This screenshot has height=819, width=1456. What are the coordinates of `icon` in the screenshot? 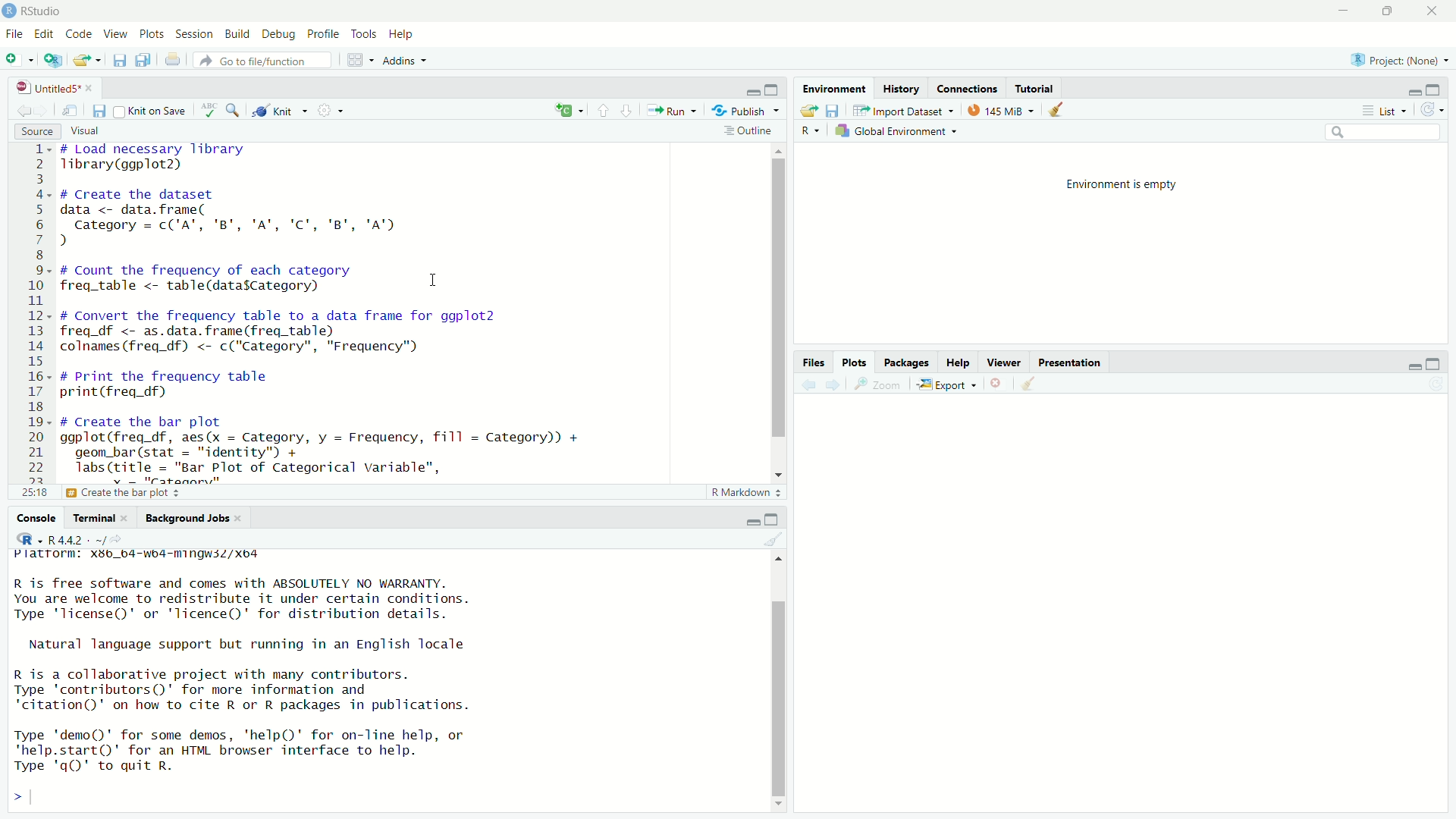 It's located at (25, 538).